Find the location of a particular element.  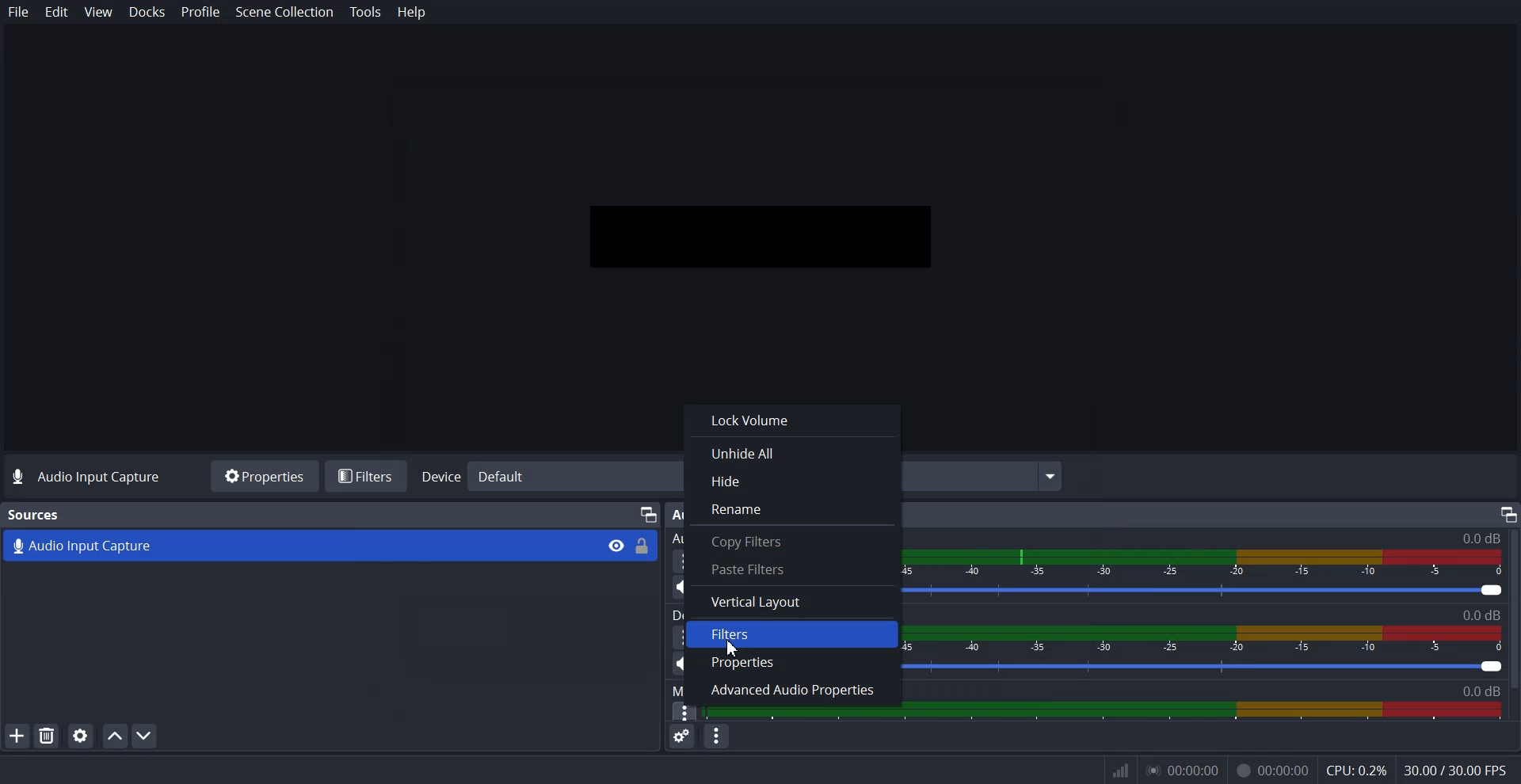

Open source properties is located at coordinates (79, 736).